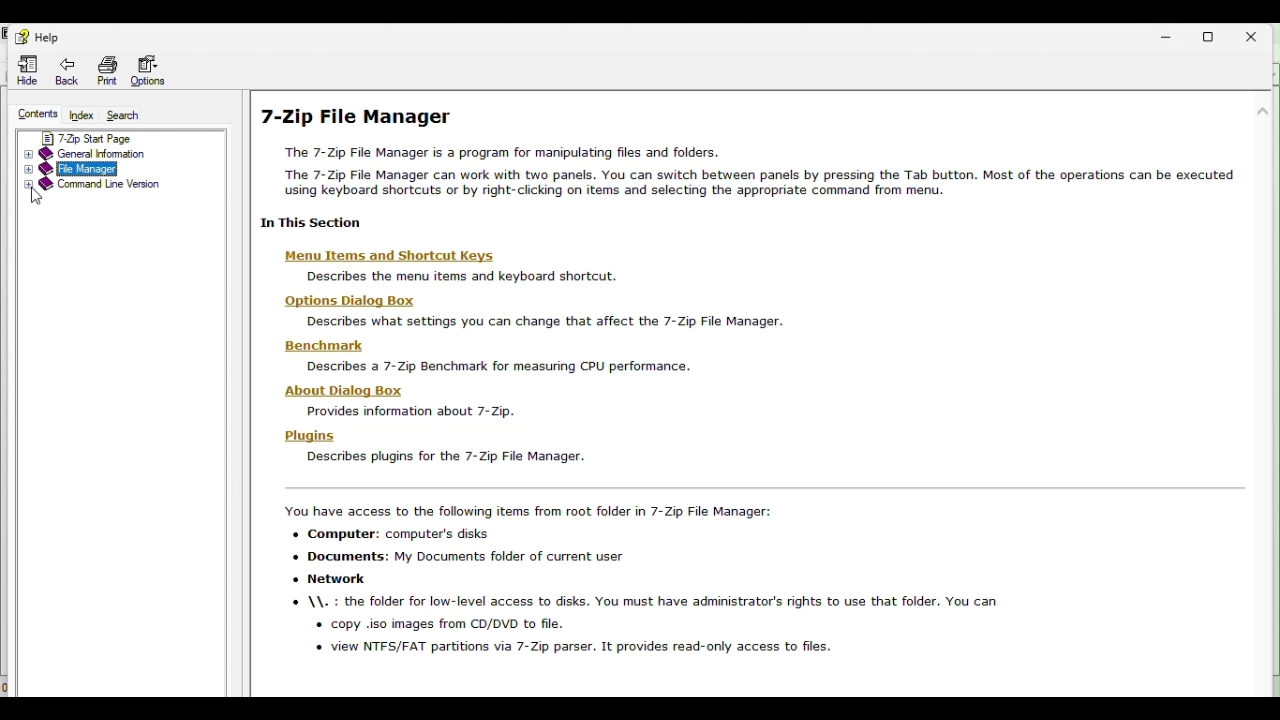  What do you see at coordinates (151, 68) in the screenshot?
I see `Options` at bounding box center [151, 68].